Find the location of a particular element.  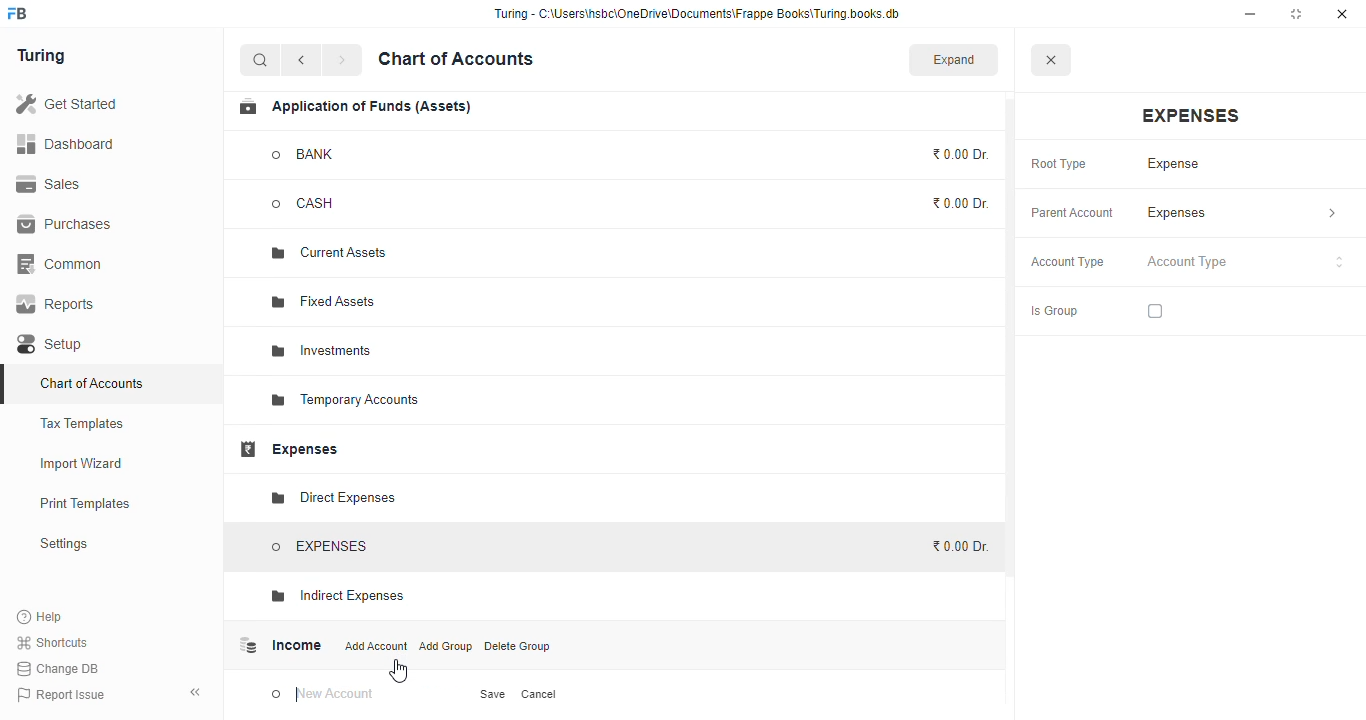

chart of accounts is located at coordinates (92, 383).